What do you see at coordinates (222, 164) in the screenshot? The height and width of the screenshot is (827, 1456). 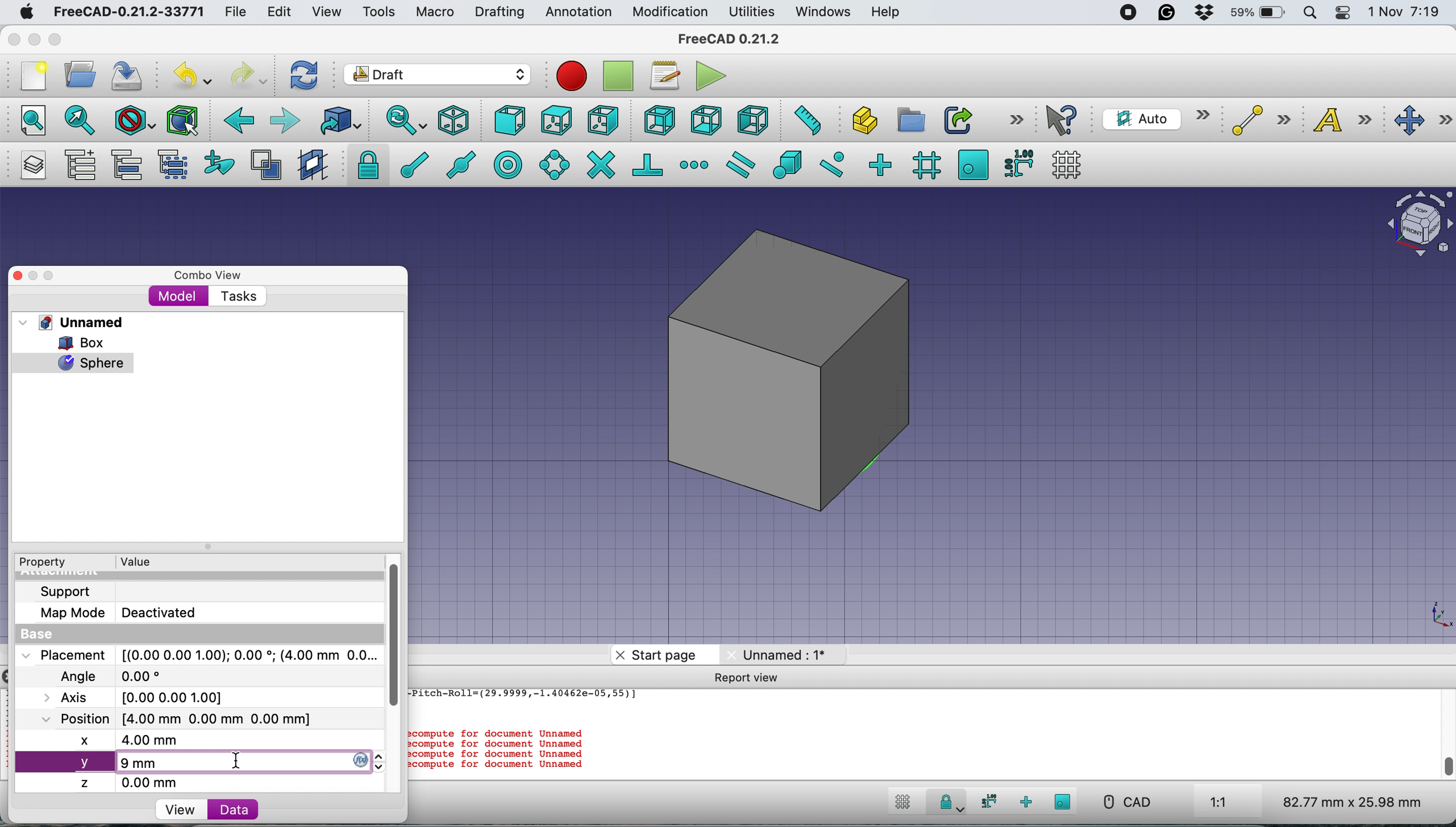 I see `add to construction group` at bounding box center [222, 164].